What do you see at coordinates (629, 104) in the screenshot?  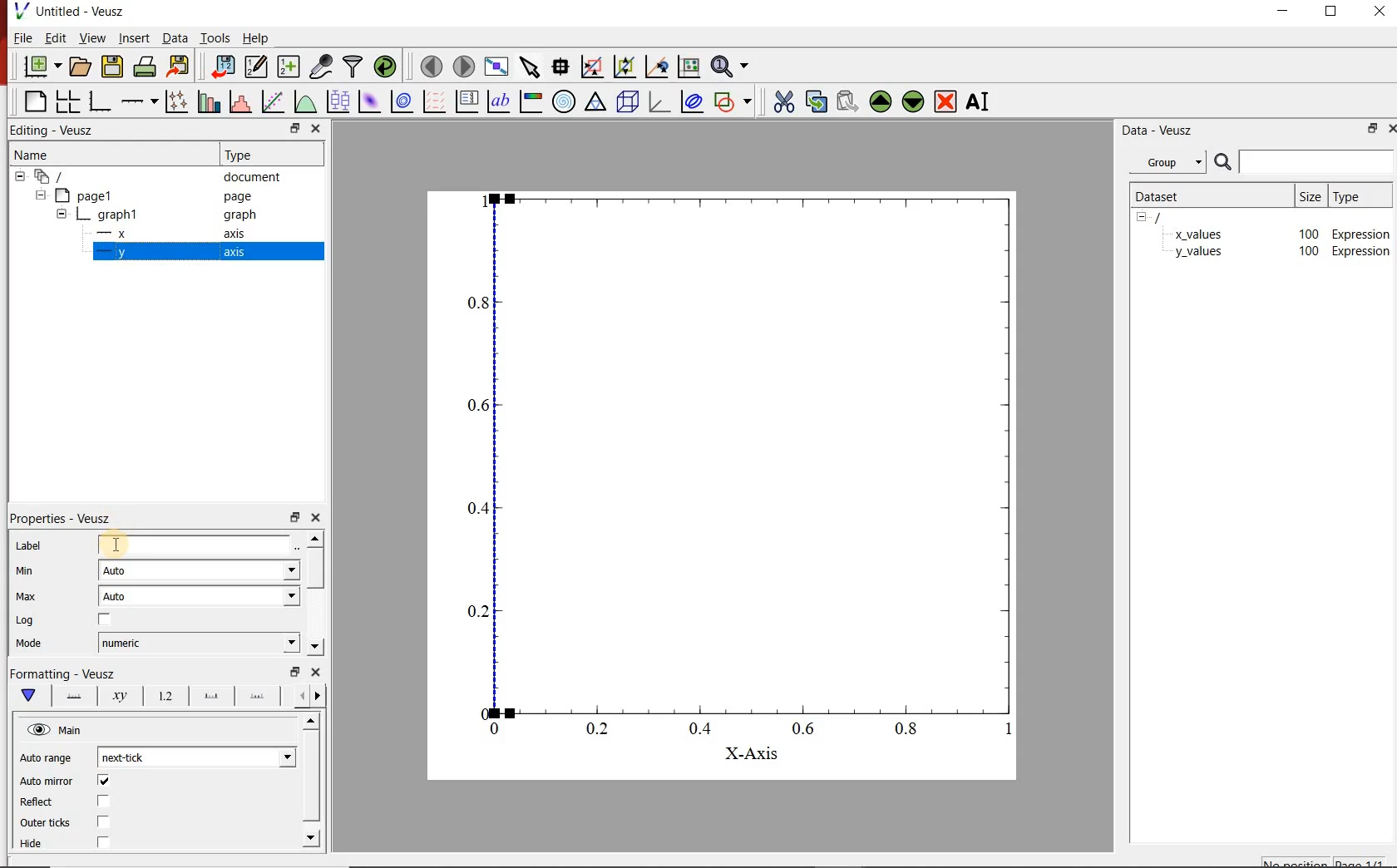 I see `3d scene` at bounding box center [629, 104].